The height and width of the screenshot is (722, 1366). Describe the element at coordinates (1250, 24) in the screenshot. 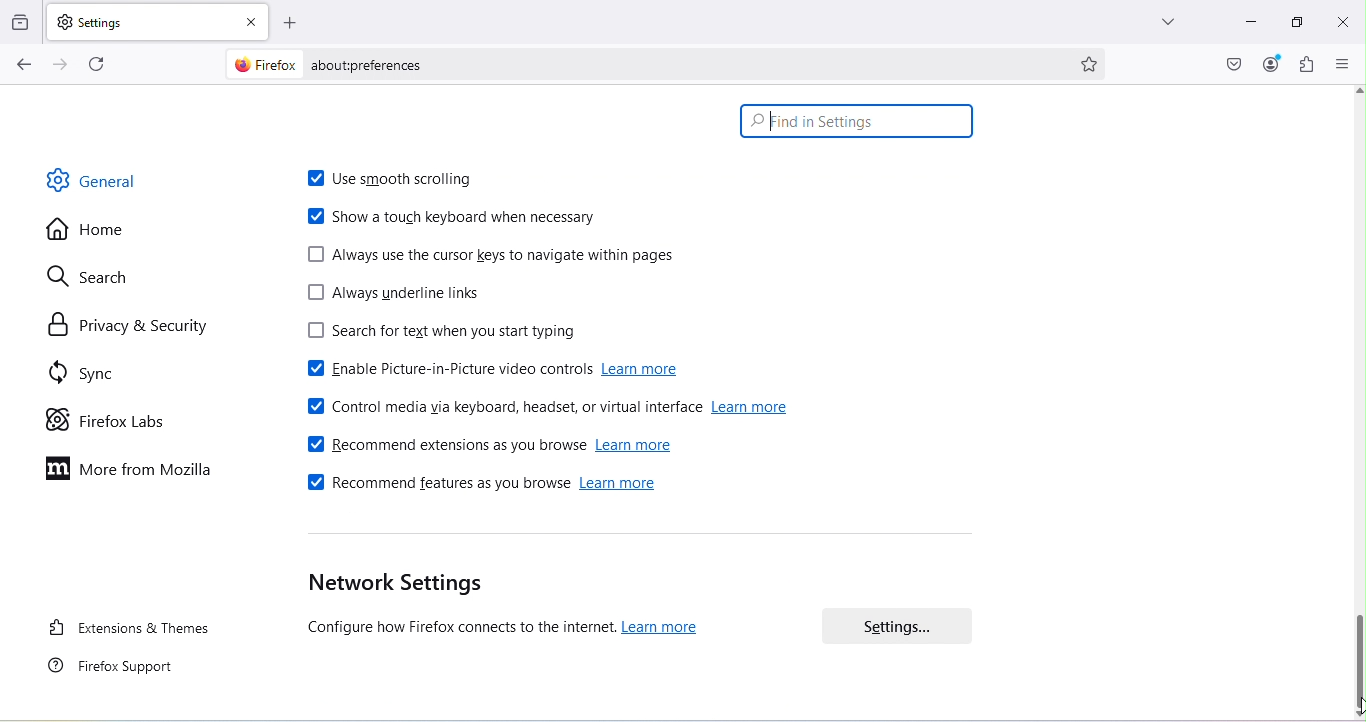

I see `Minimize` at that location.